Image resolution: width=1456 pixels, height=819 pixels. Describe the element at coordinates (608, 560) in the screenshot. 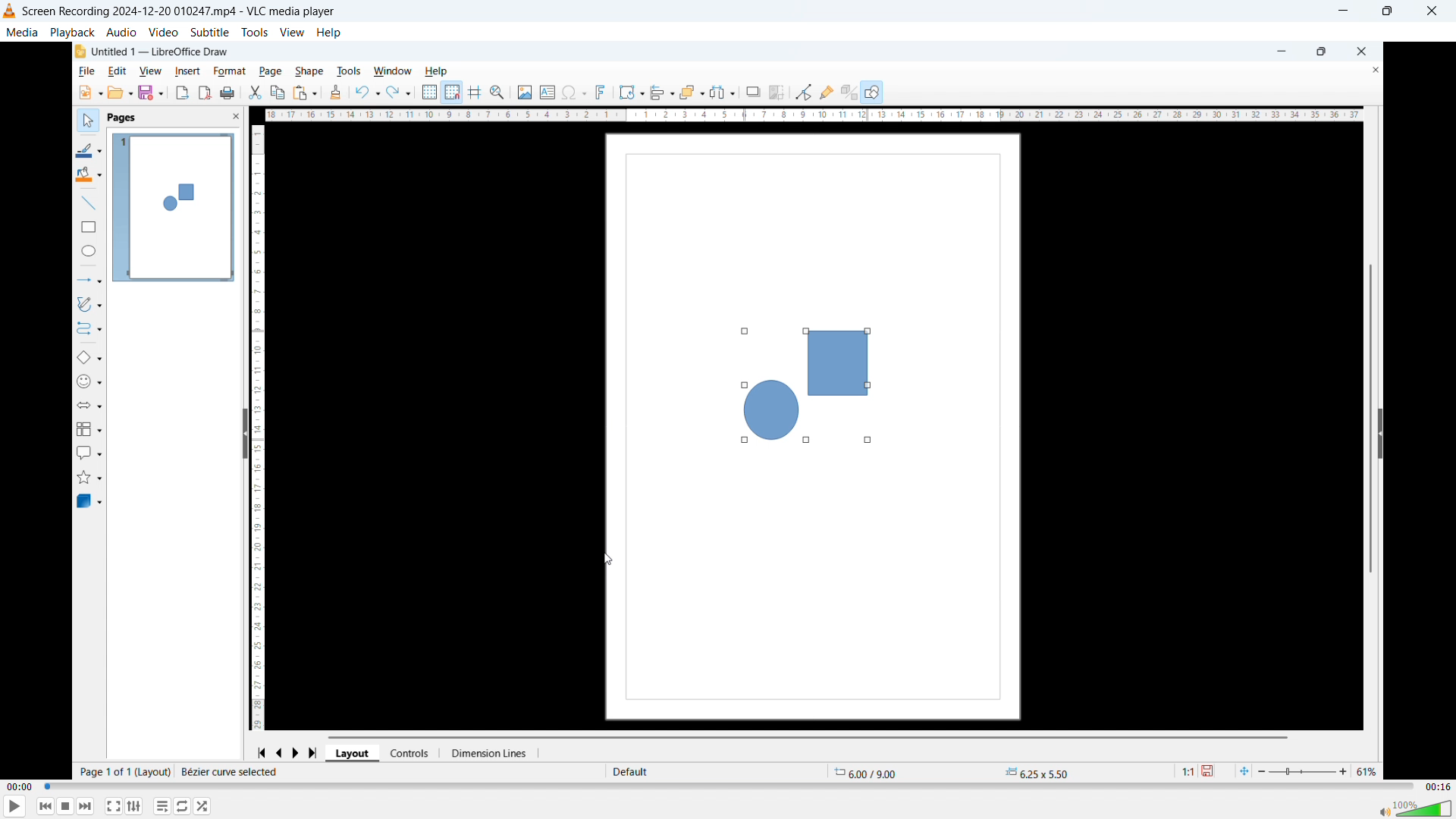

I see `Cursor ` at that location.